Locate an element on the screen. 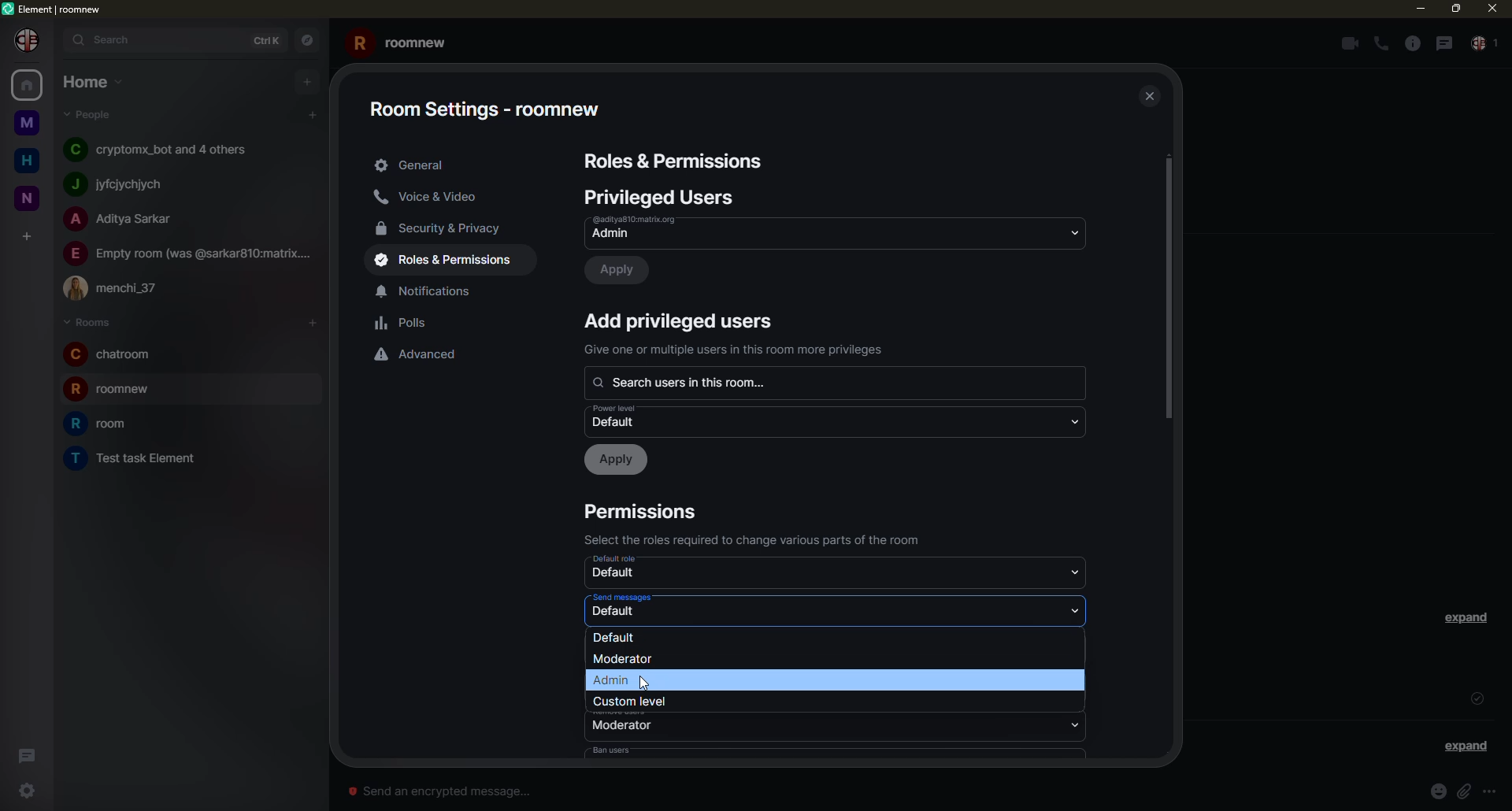  info is located at coordinates (1410, 43).